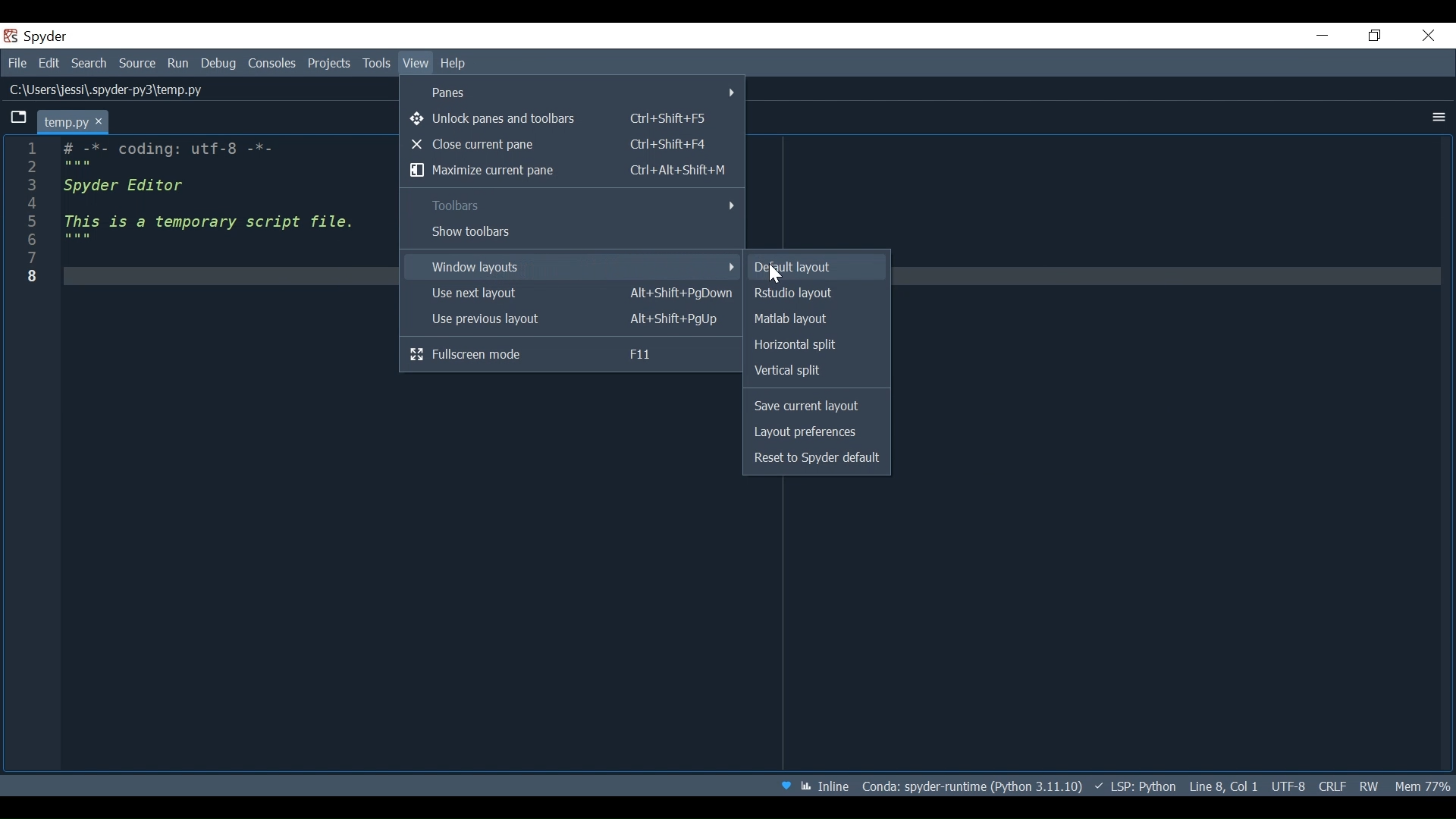 This screenshot has width=1456, height=819. What do you see at coordinates (570, 266) in the screenshot?
I see `Window layouts` at bounding box center [570, 266].